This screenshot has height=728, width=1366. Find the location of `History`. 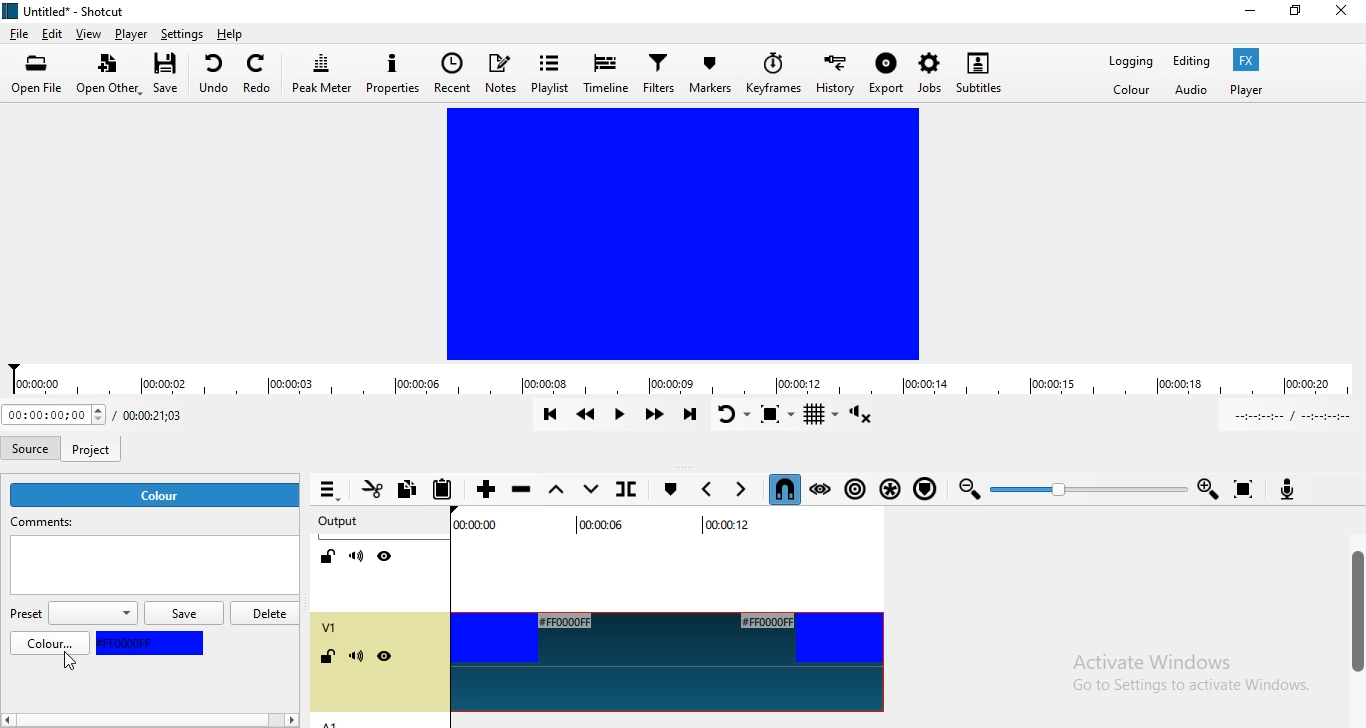

History is located at coordinates (838, 75).